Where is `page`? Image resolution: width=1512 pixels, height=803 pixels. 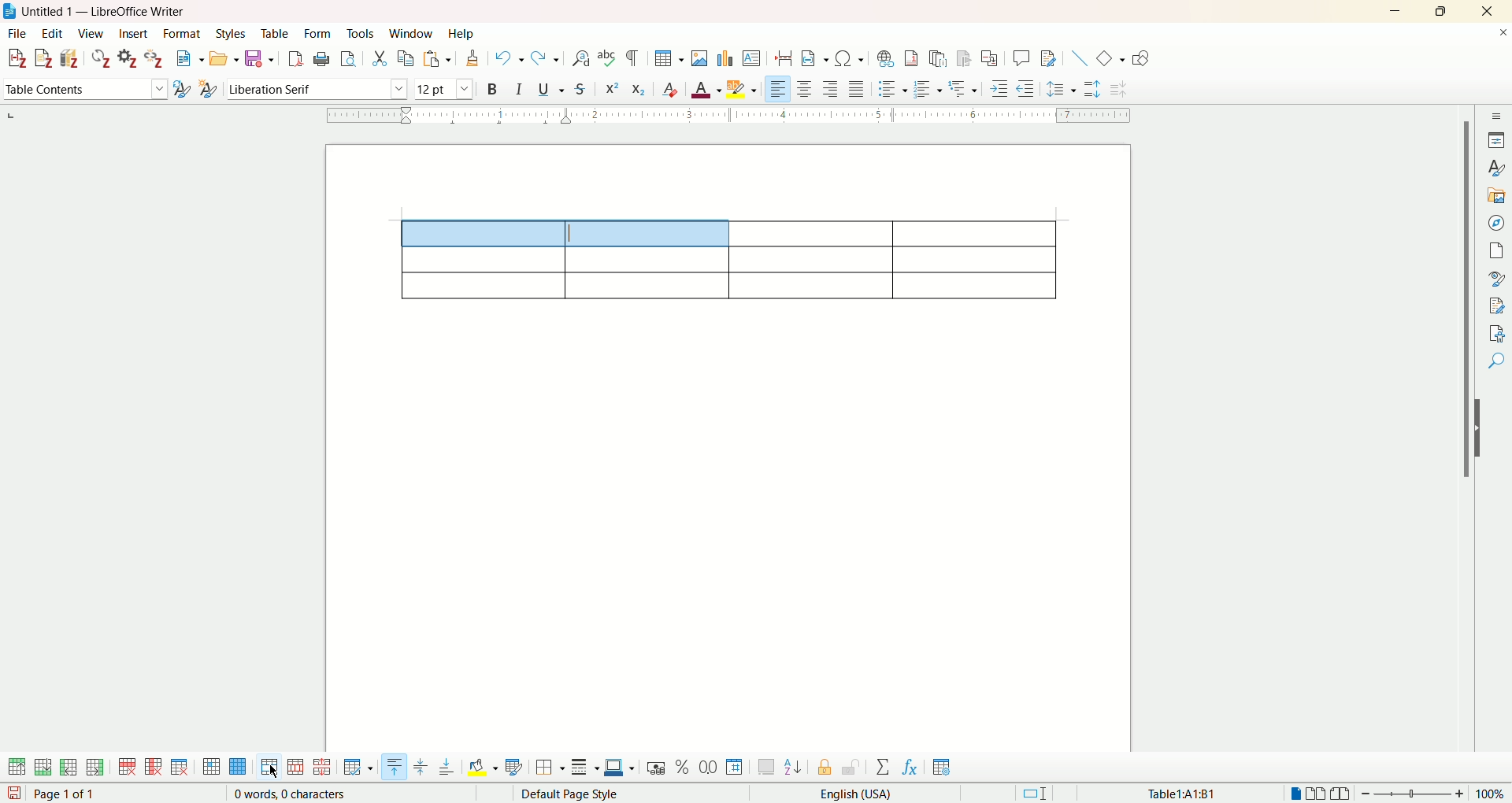 page is located at coordinates (730, 446).